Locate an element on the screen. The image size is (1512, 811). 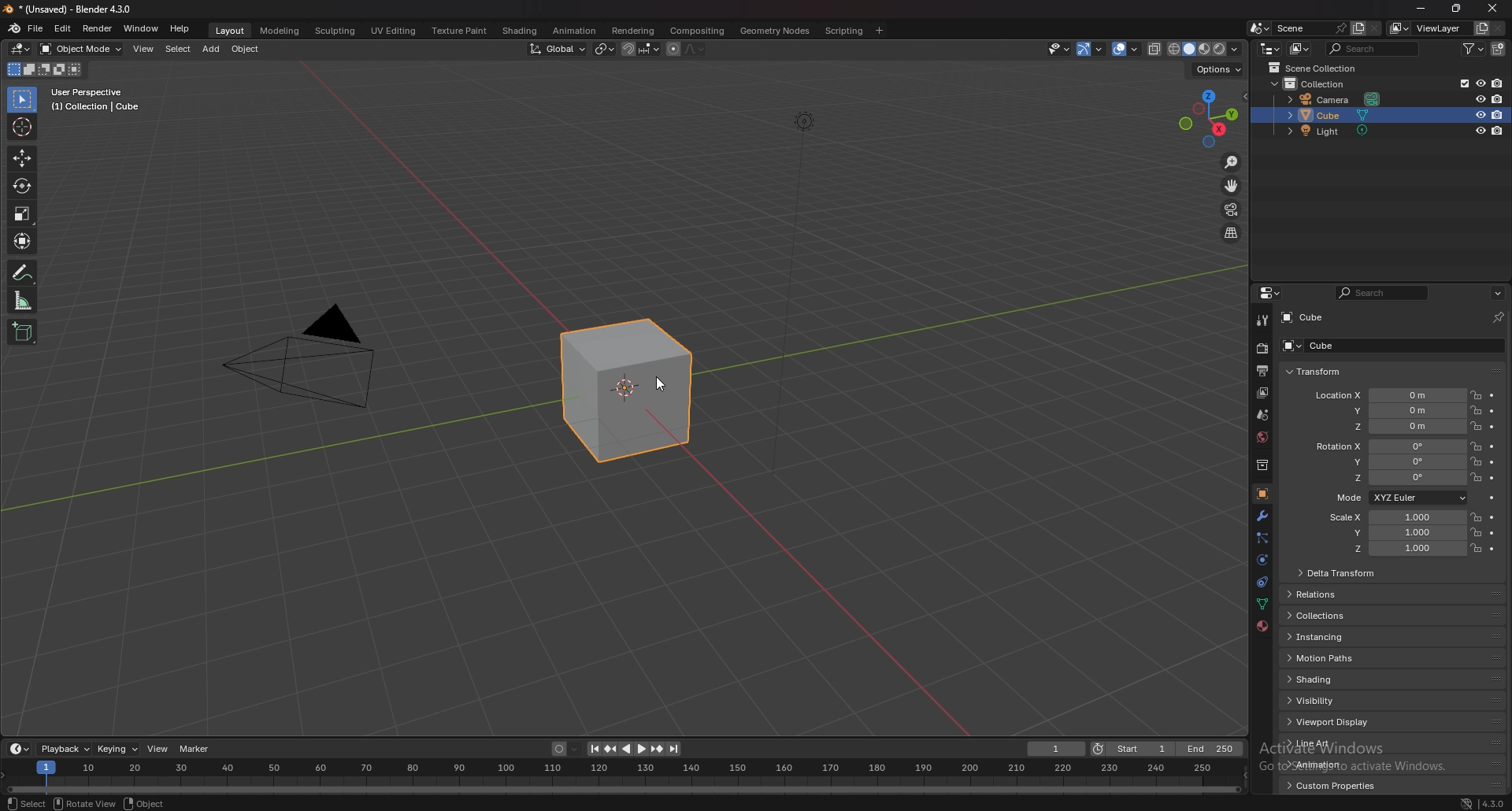
lock location is located at coordinates (1476, 477).